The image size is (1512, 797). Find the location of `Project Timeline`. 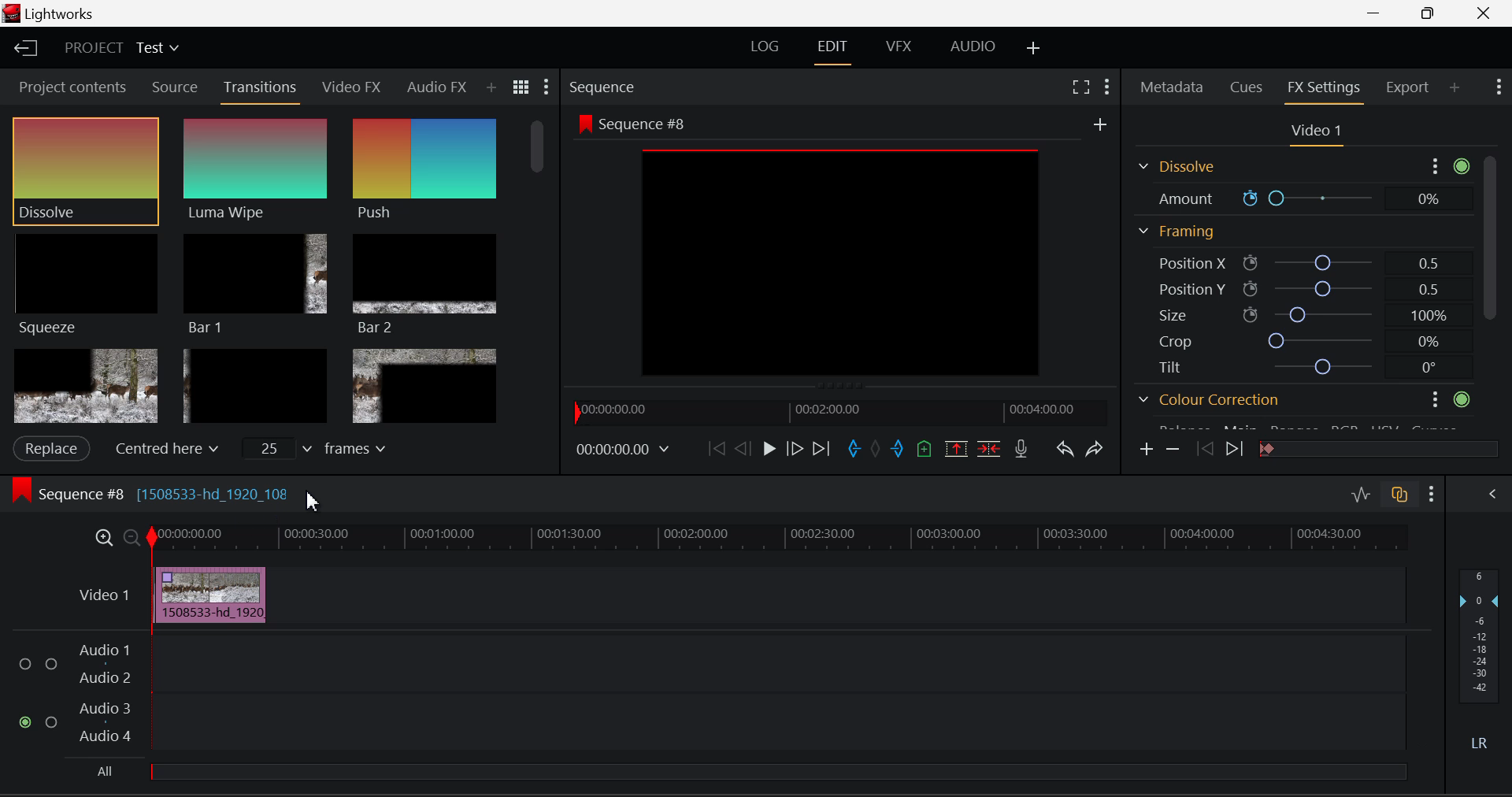

Project Timeline is located at coordinates (775, 539).